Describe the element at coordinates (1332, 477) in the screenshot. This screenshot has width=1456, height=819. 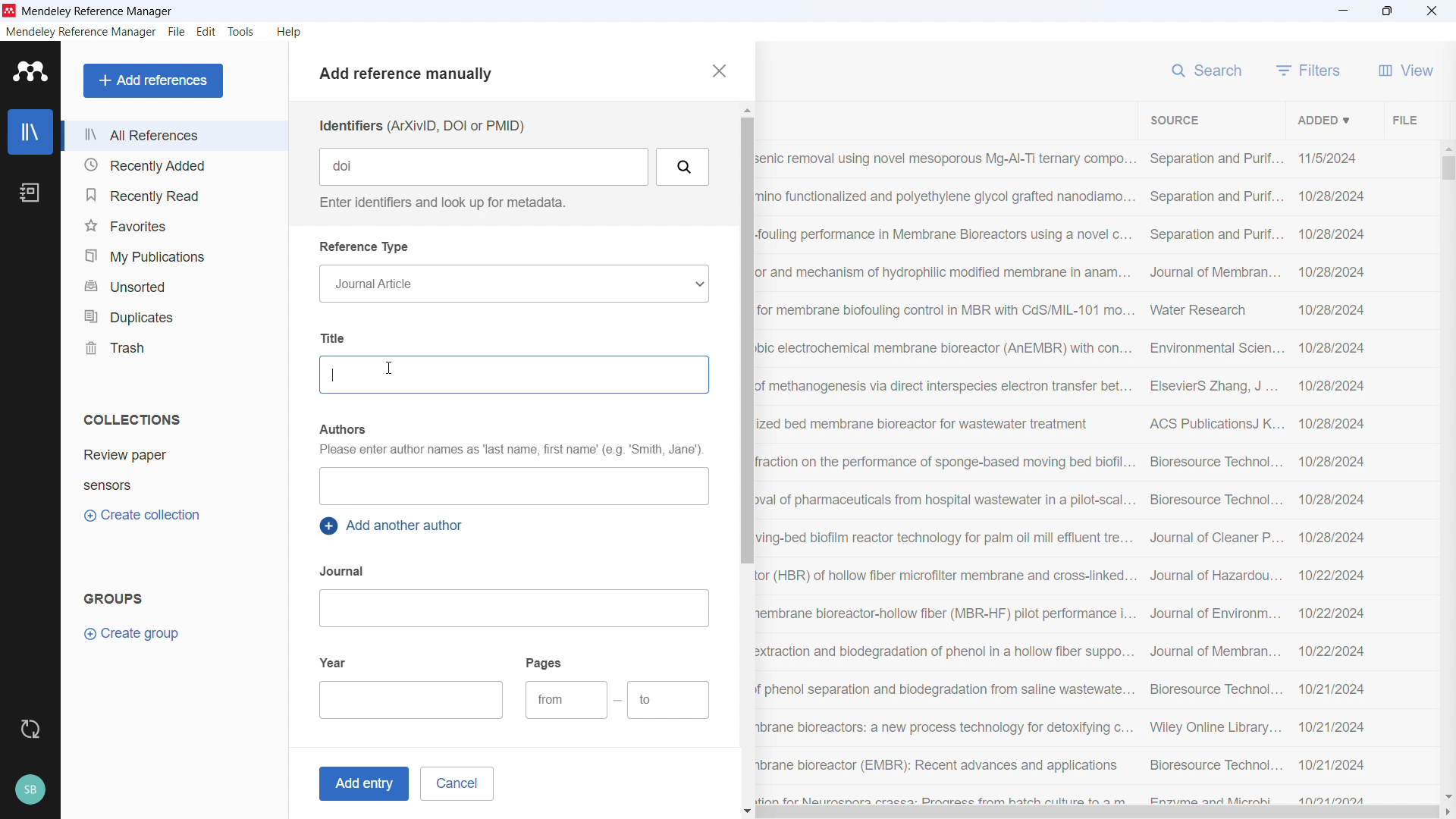
I see `Date of addition of individual entries ` at that location.